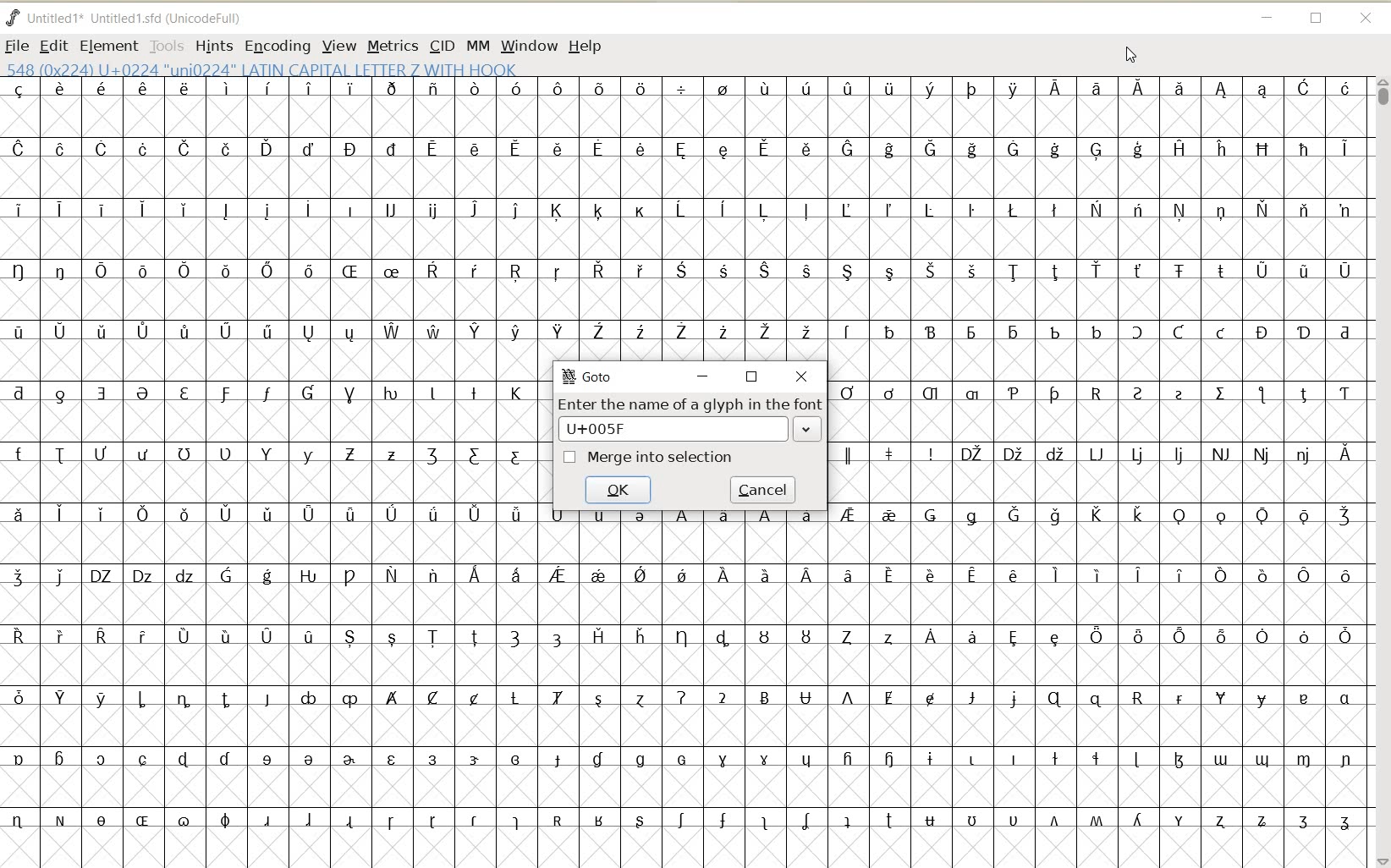 The width and height of the screenshot is (1391, 868). Describe the element at coordinates (703, 377) in the screenshot. I see `minimize` at that location.